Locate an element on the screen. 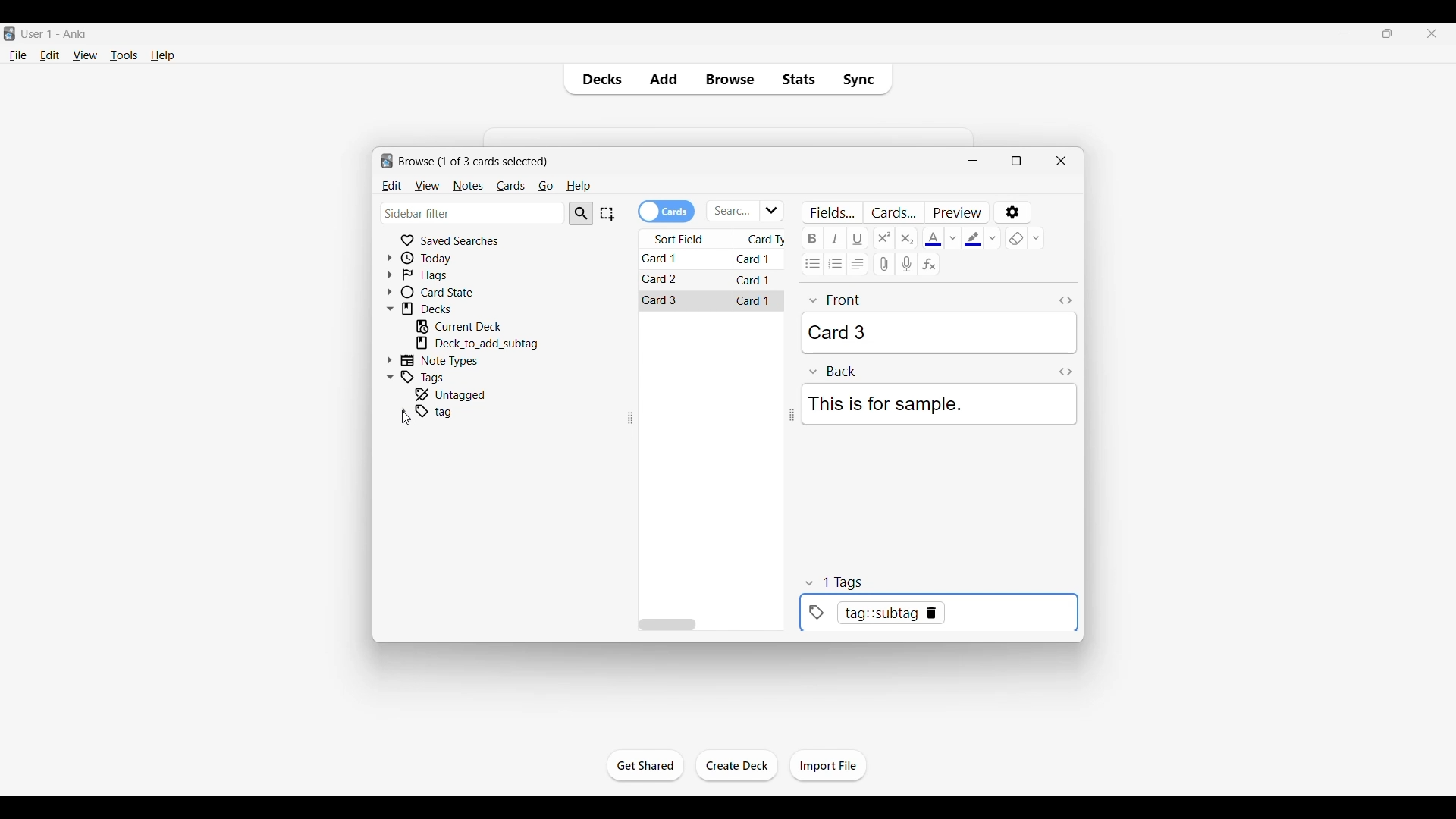 The image size is (1456, 819). Customize card templates is located at coordinates (893, 212).